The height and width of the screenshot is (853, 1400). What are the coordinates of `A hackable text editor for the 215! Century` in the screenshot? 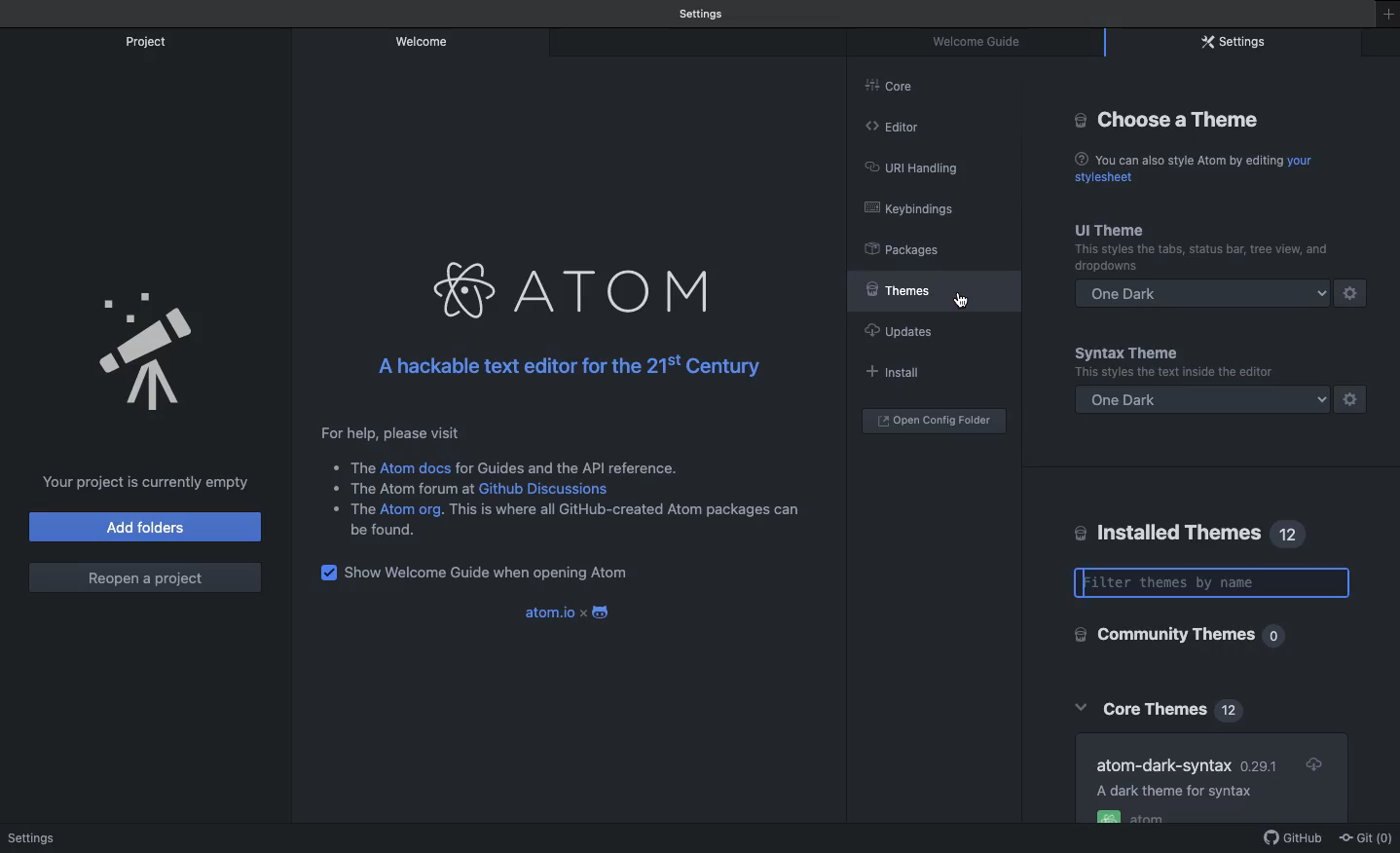 It's located at (565, 368).